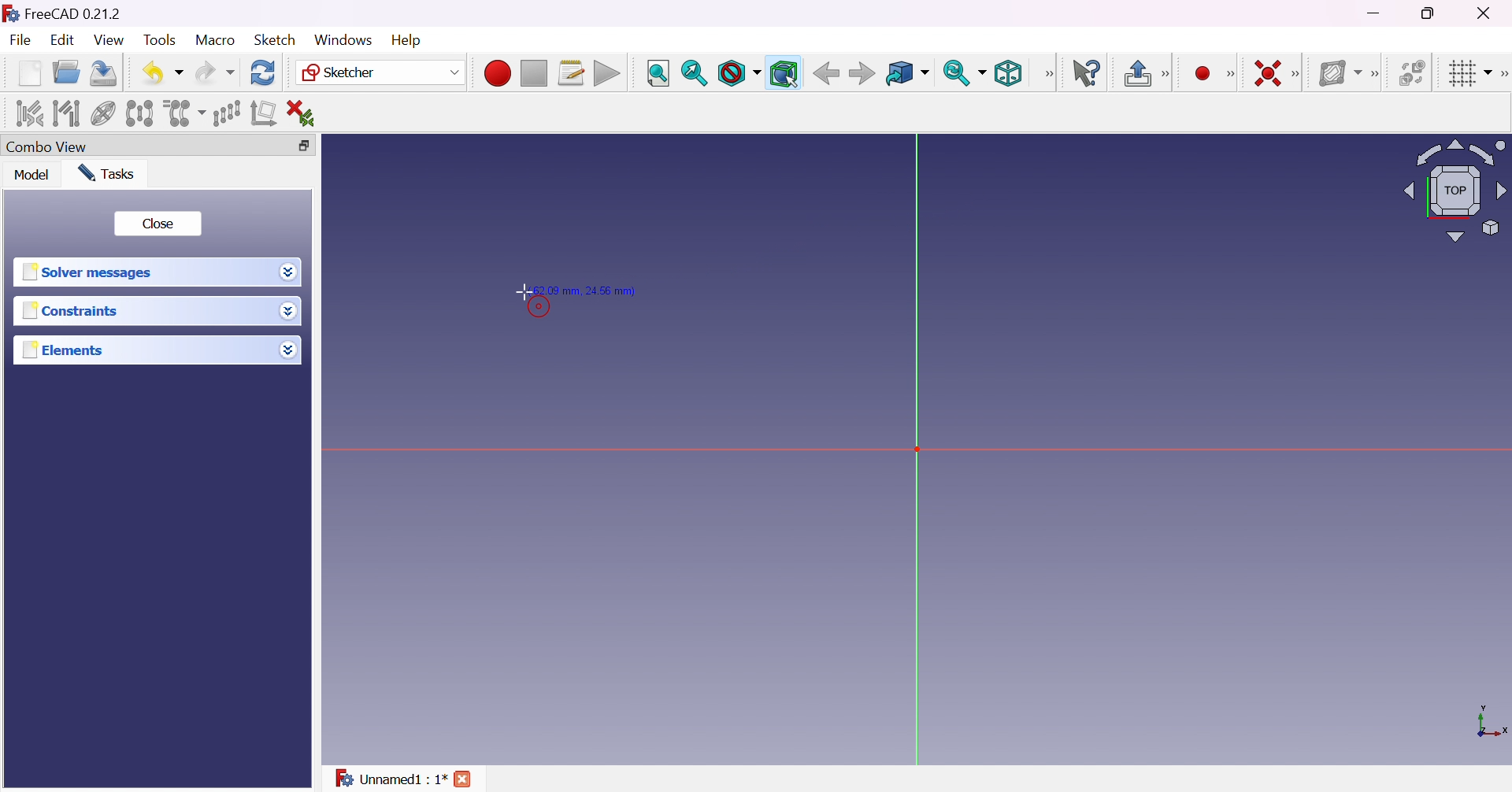 The image size is (1512, 792). What do you see at coordinates (183, 112) in the screenshot?
I see `Clone` at bounding box center [183, 112].